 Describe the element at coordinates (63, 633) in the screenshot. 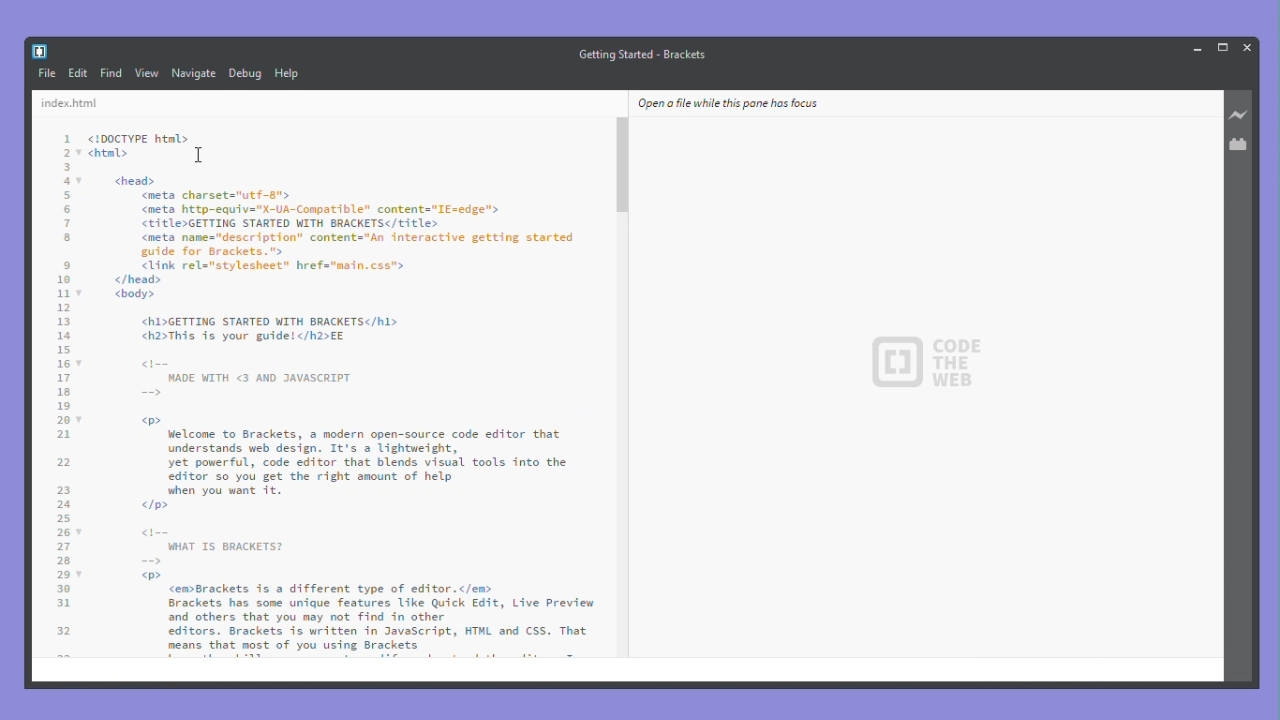

I see `32` at that location.